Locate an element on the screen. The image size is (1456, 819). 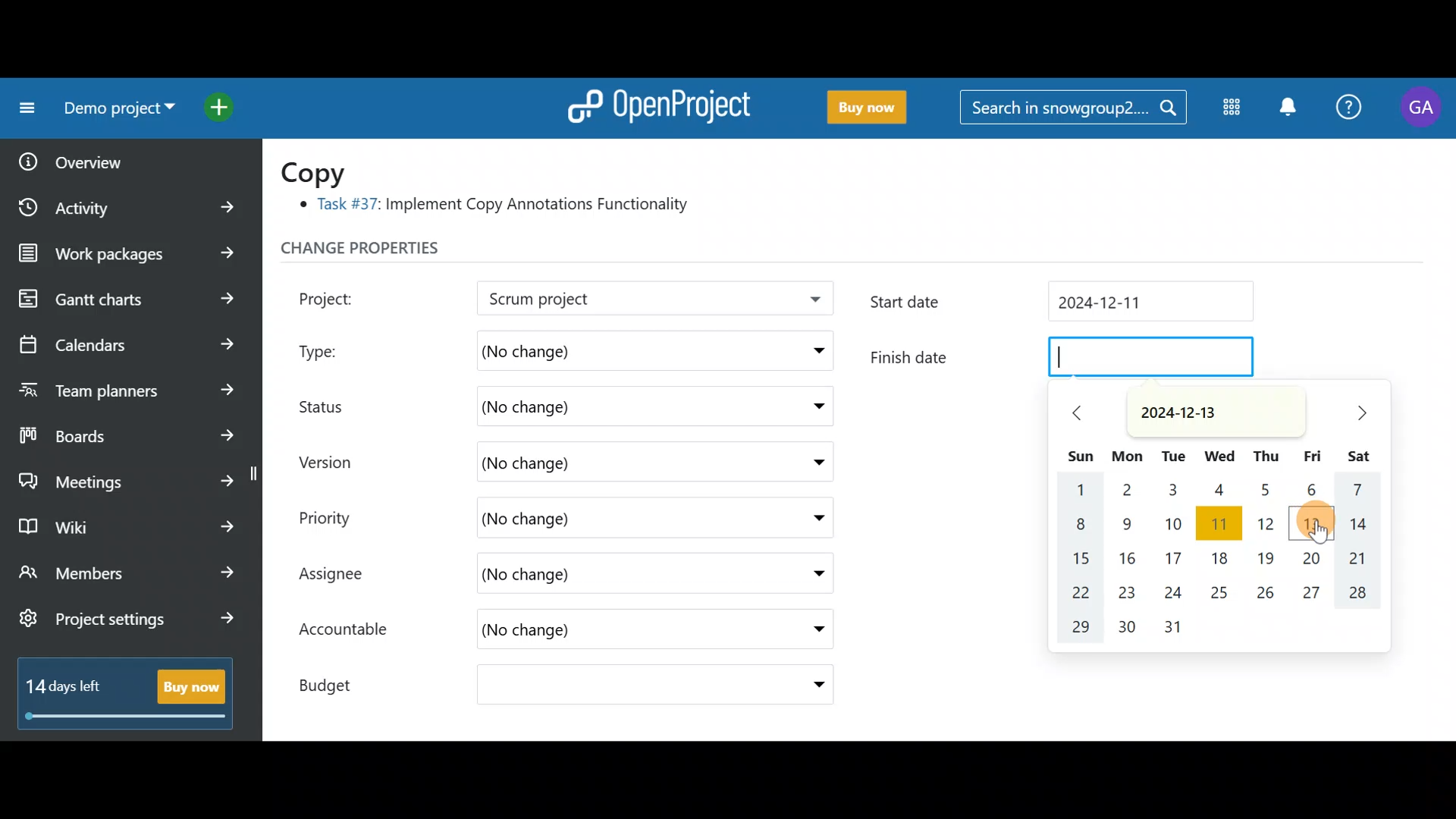
Finish date is located at coordinates (1061, 358).